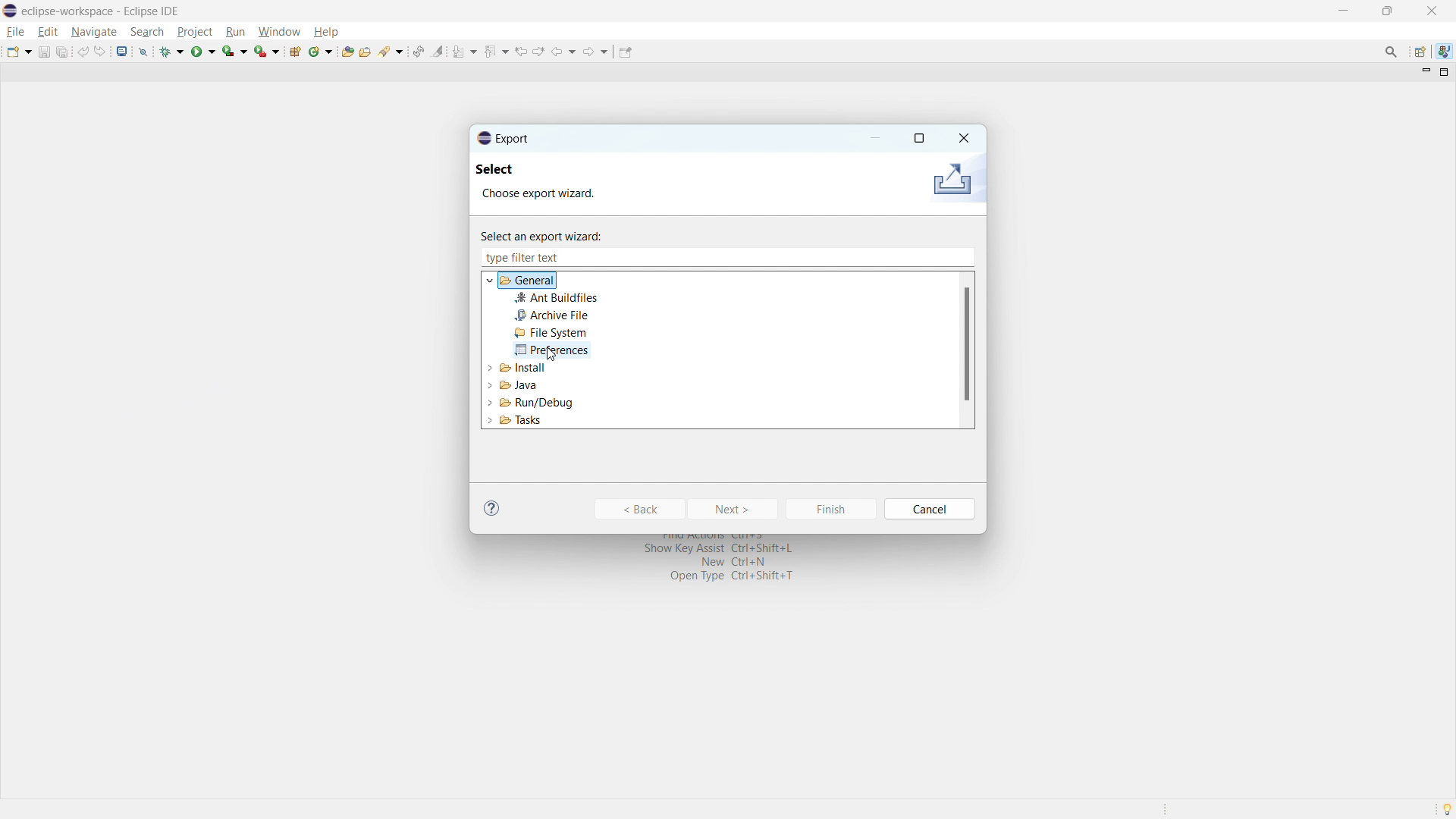 The height and width of the screenshot is (819, 1456). I want to click on skip all breakpoints, so click(143, 51).